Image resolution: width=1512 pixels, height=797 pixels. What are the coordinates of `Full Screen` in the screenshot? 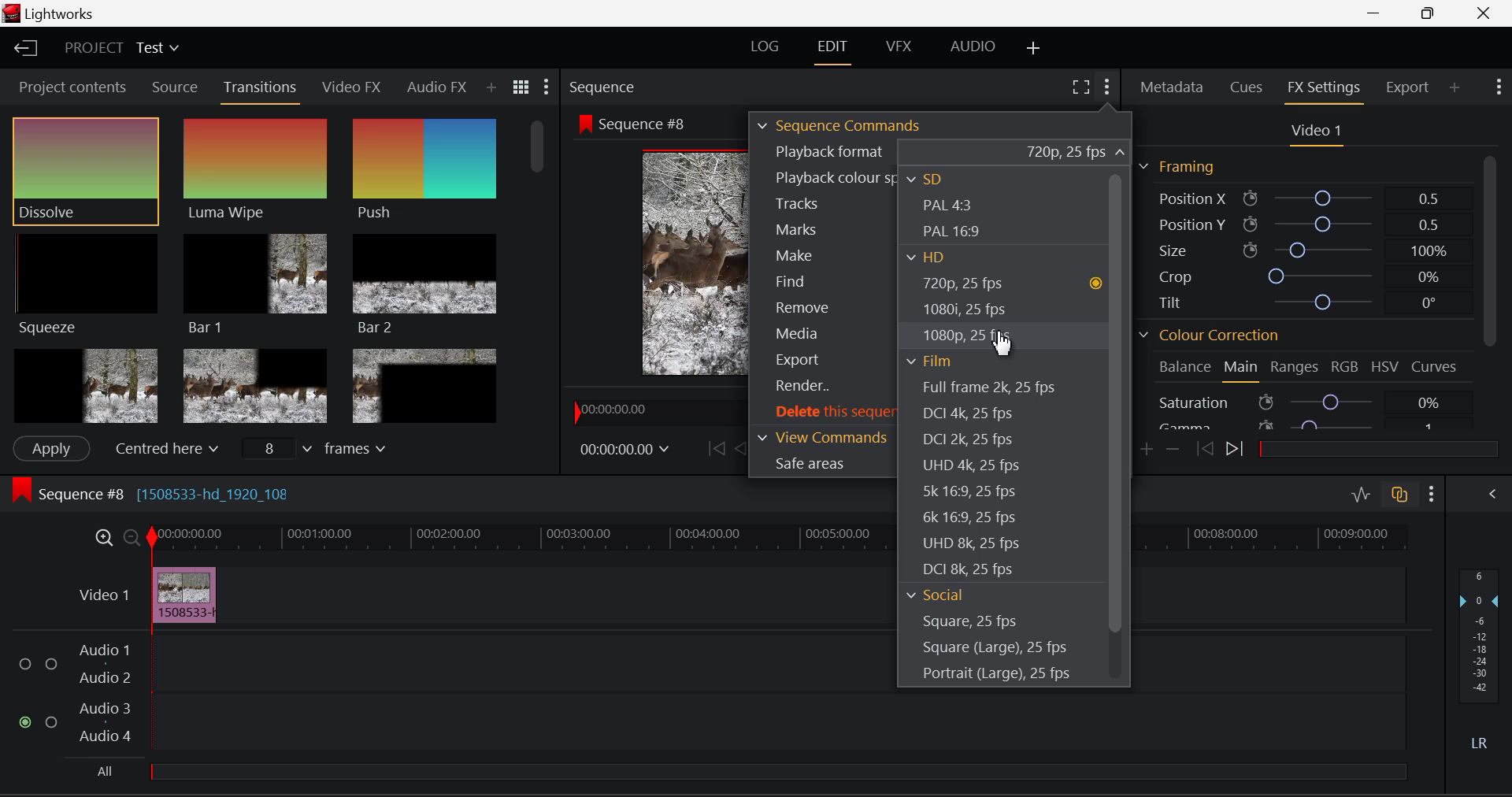 It's located at (1080, 87).